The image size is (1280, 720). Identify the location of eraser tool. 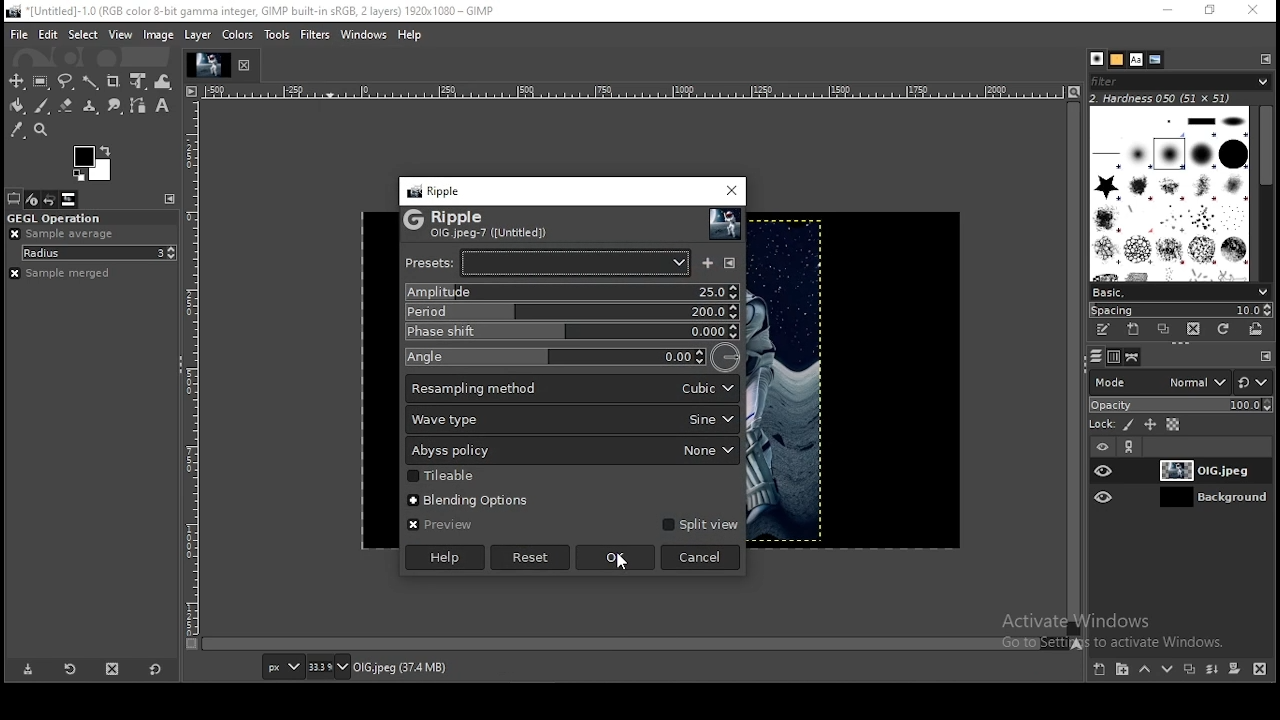
(68, 106).